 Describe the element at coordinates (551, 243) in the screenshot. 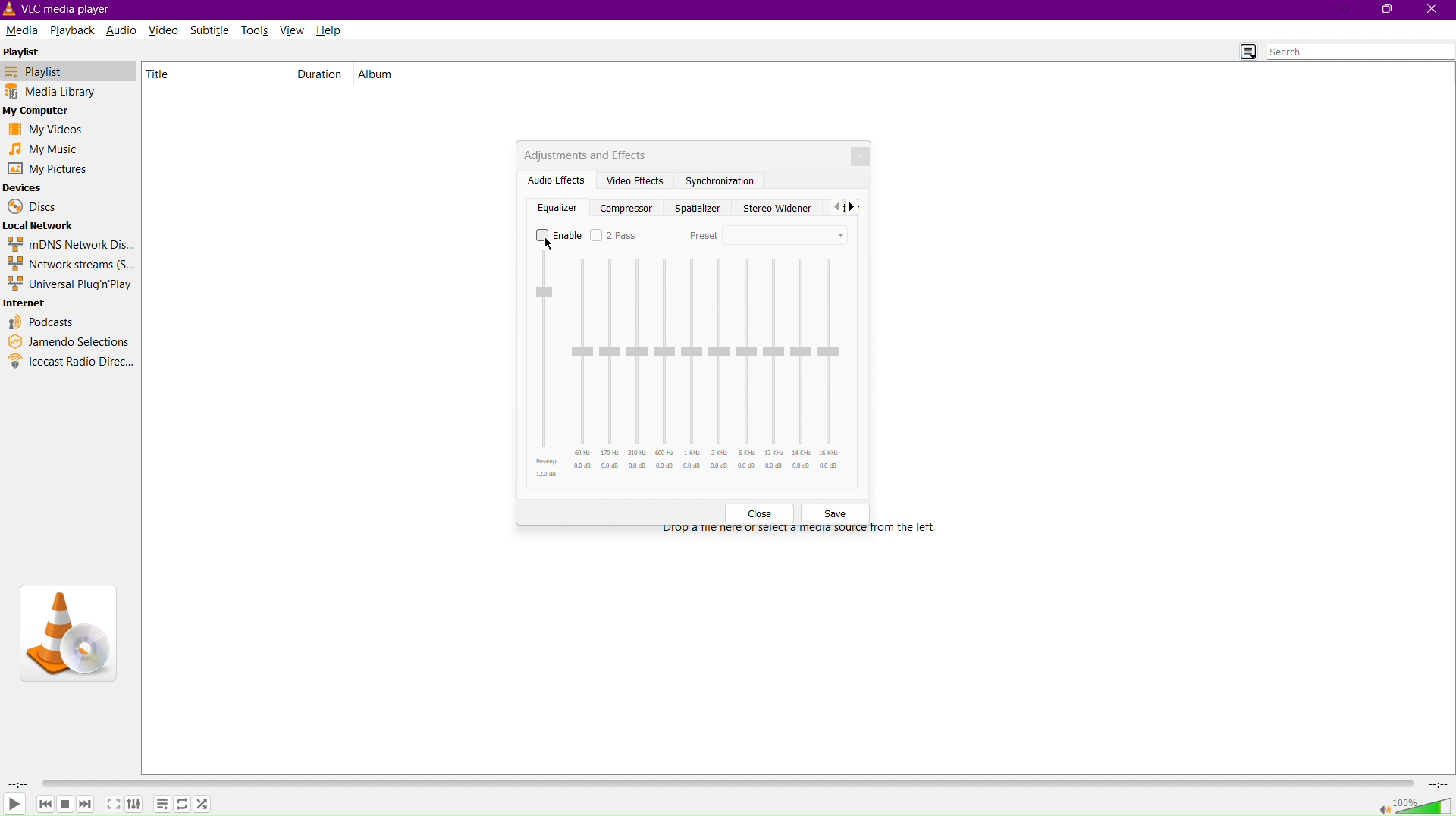

I see `Cursor at Enable` at that location.